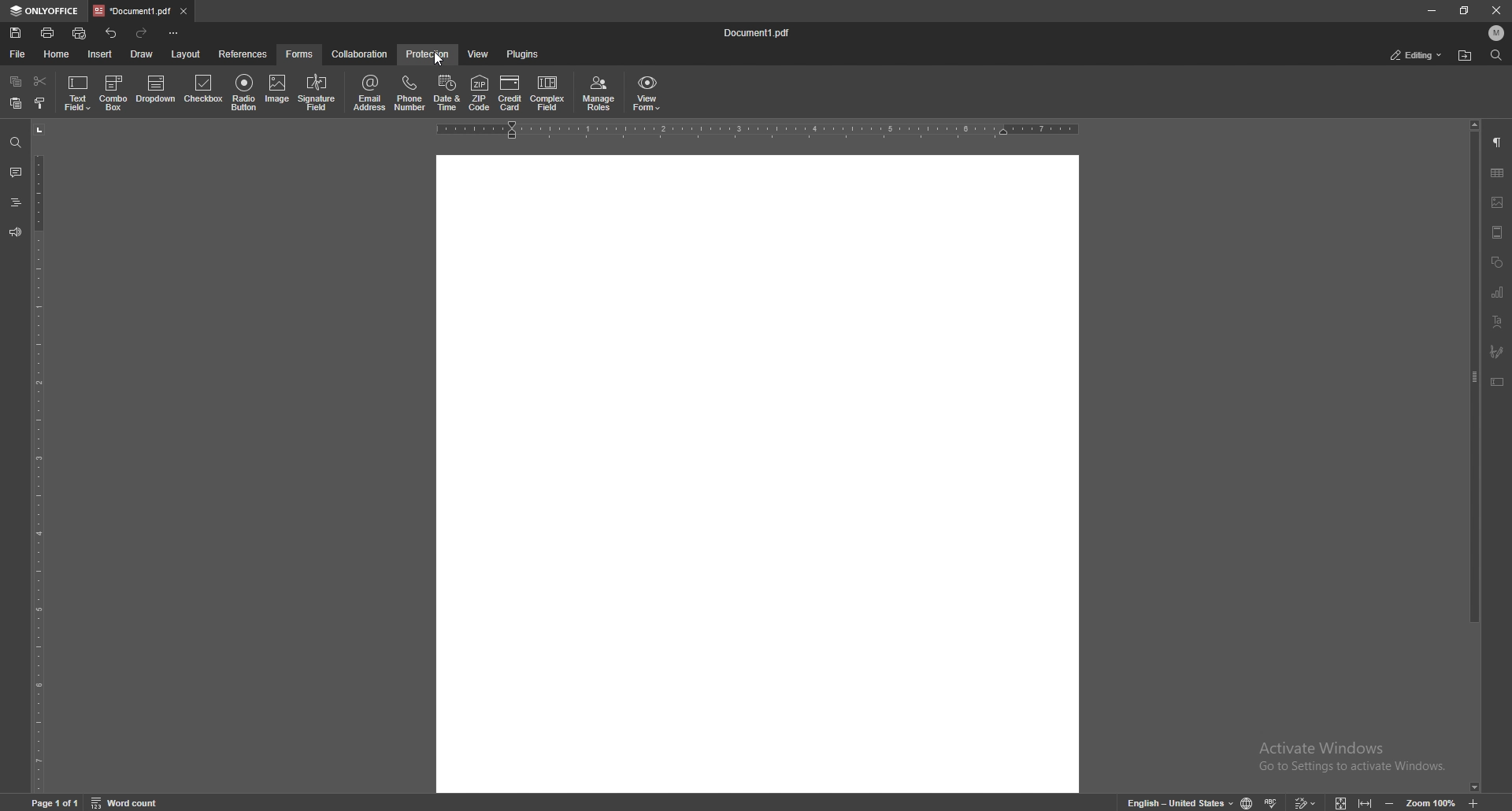  Describe the element at coordinates (114, 93) in the screenshot. I see `combo box` at that location.